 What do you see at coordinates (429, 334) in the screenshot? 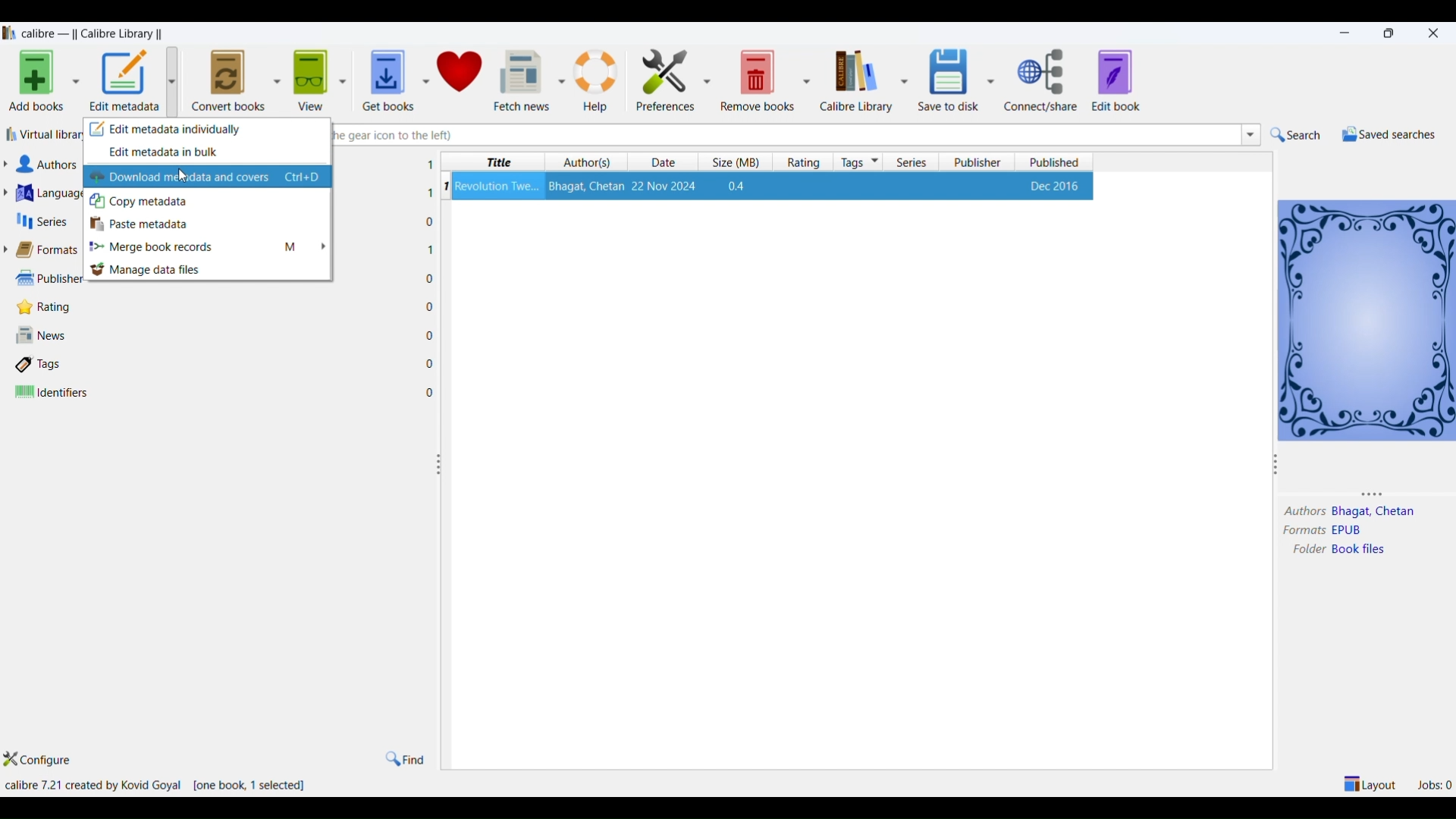
I see `0` at bounding box center [429, 334].